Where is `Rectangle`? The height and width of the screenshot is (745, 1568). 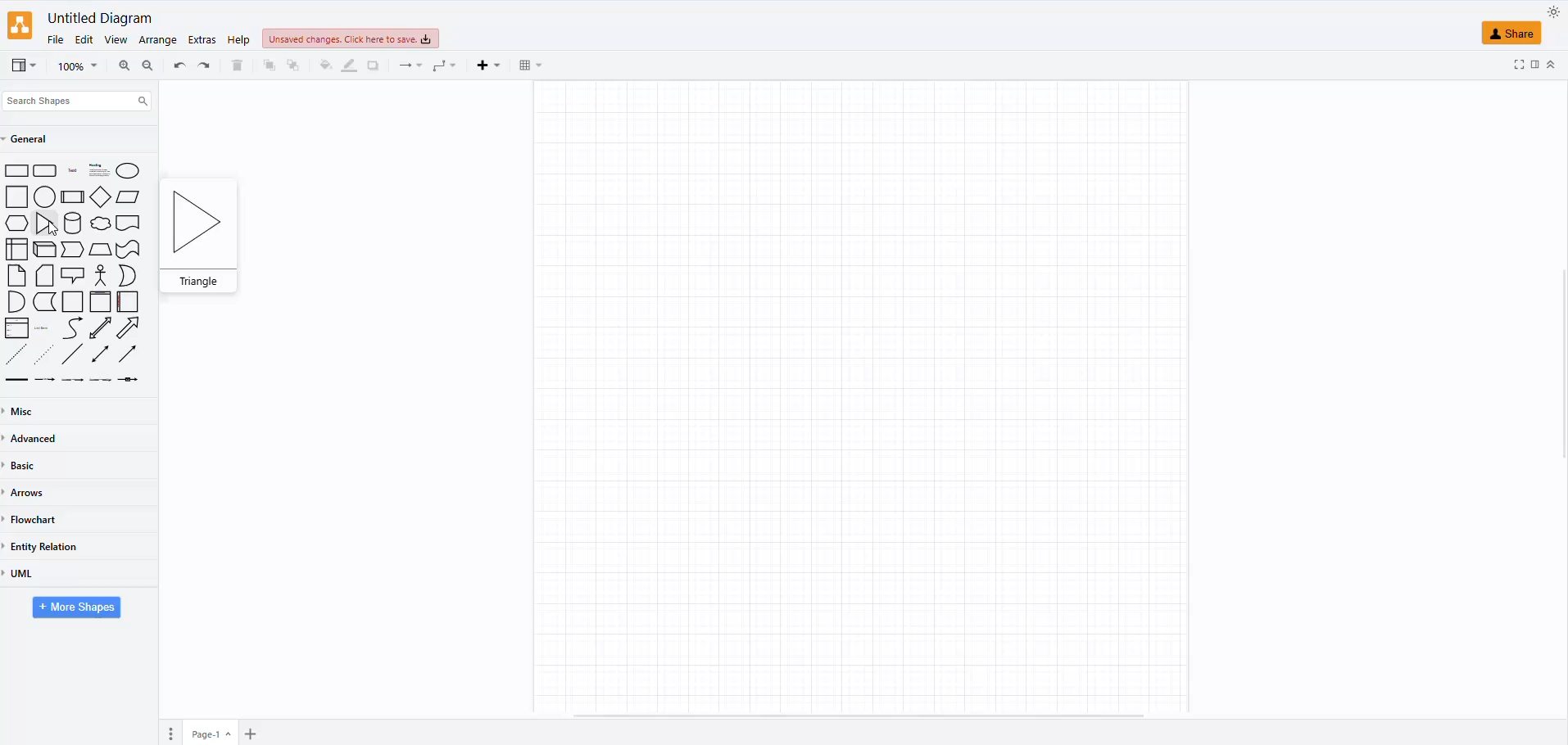
Rectangle is located at coordinates (16, 196).